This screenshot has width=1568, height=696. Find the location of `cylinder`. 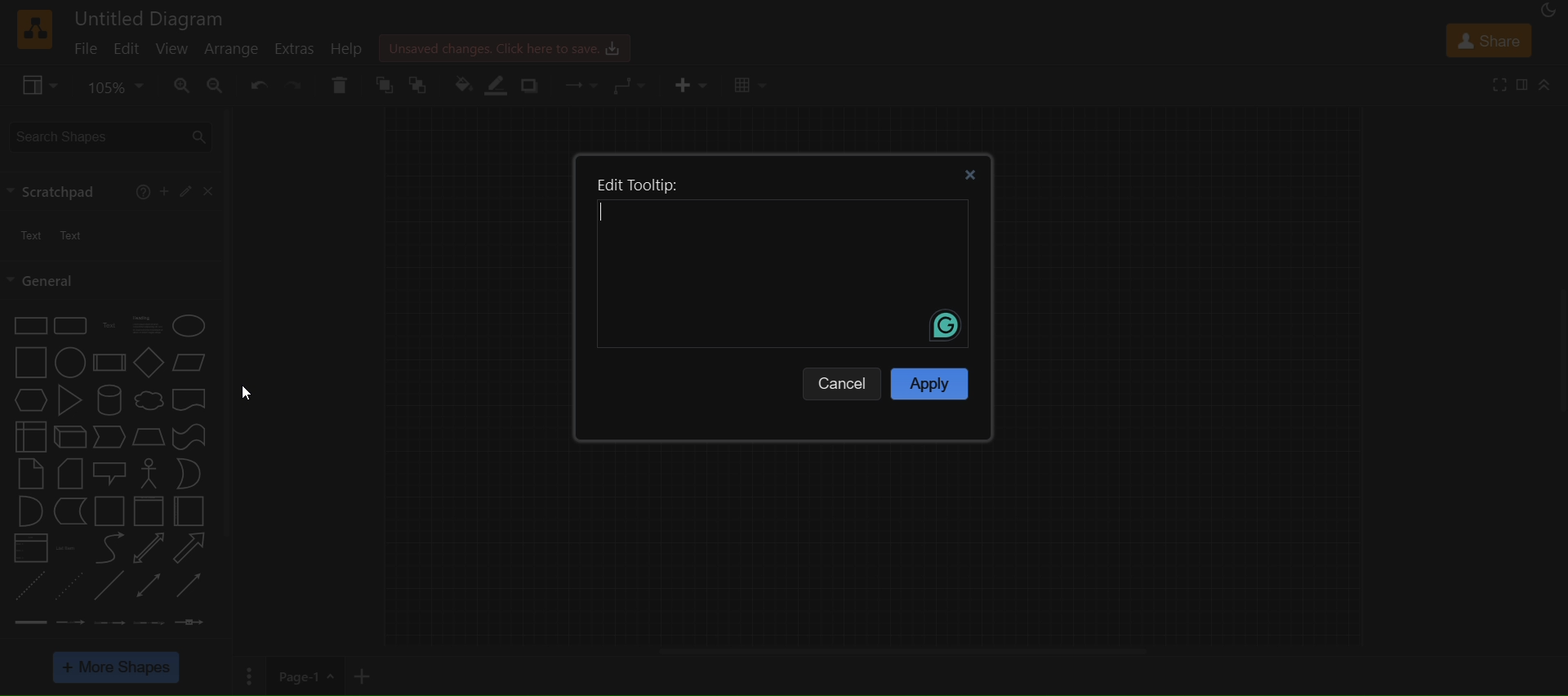

cylinder is located at coordinates (109, 401).